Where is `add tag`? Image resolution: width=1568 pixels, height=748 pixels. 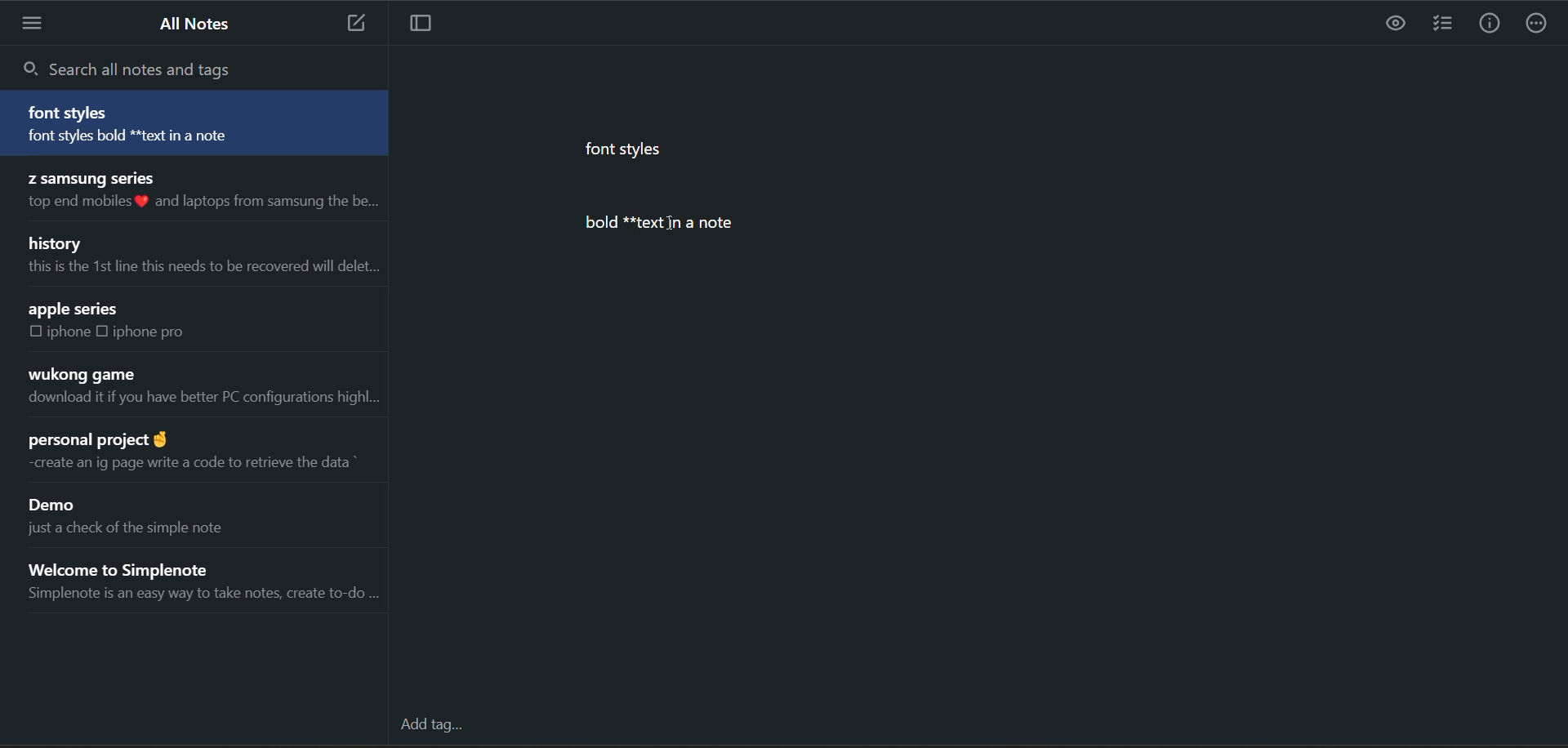 add tag is located at coordinates (435, 722).